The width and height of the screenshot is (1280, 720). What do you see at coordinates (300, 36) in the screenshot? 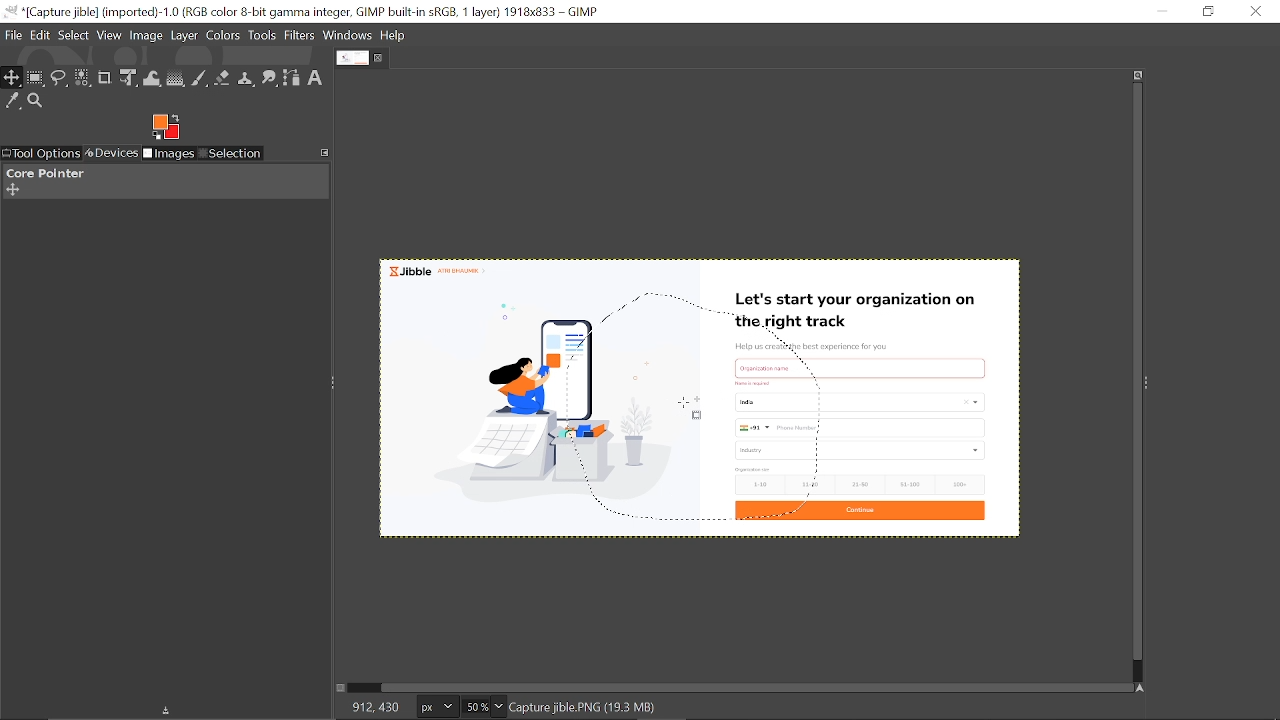
I see `Filters` at bounding box center [300, 36].